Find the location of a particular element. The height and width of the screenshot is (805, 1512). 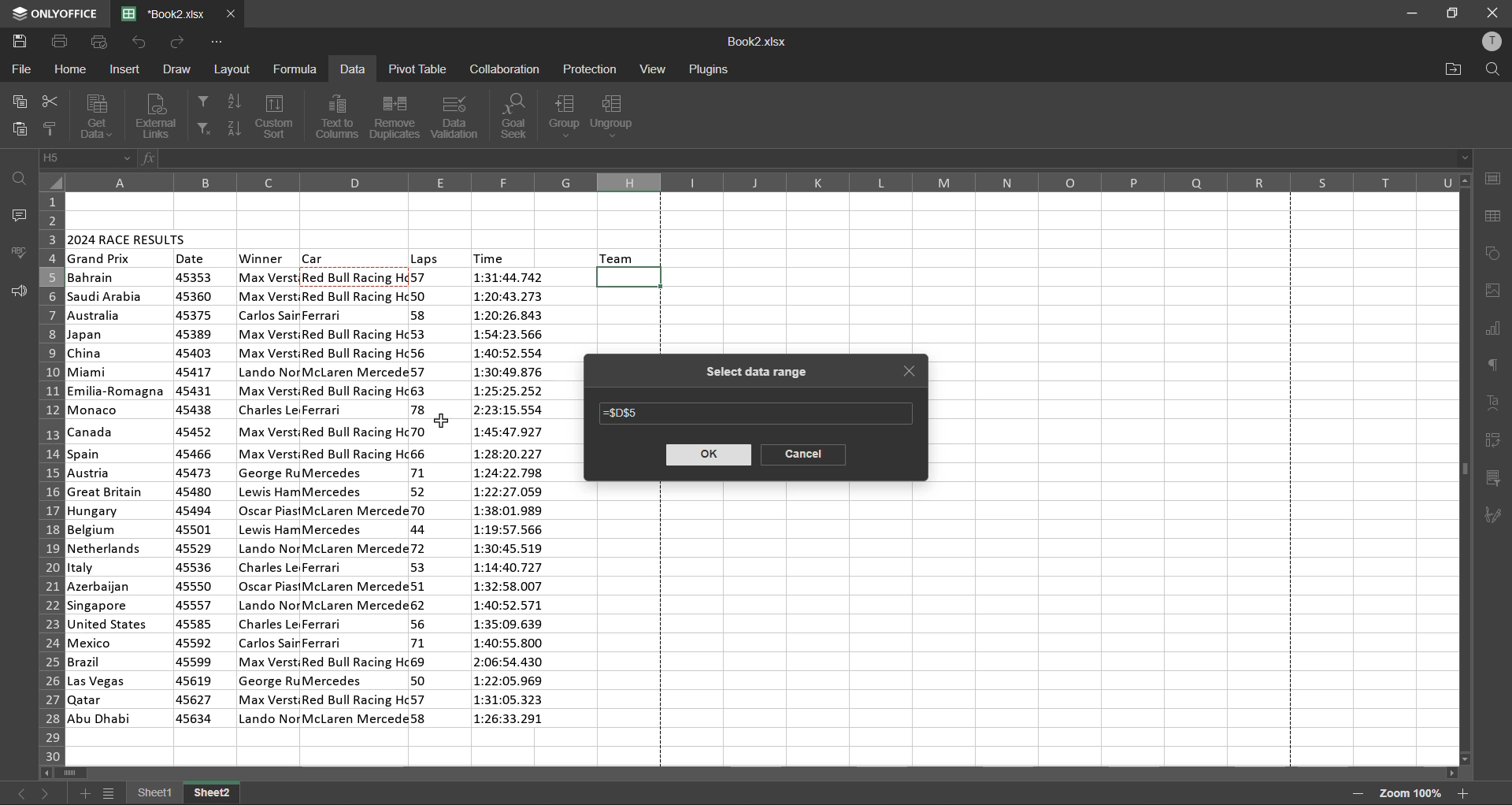

plugins is located at coordinates (708, 70).